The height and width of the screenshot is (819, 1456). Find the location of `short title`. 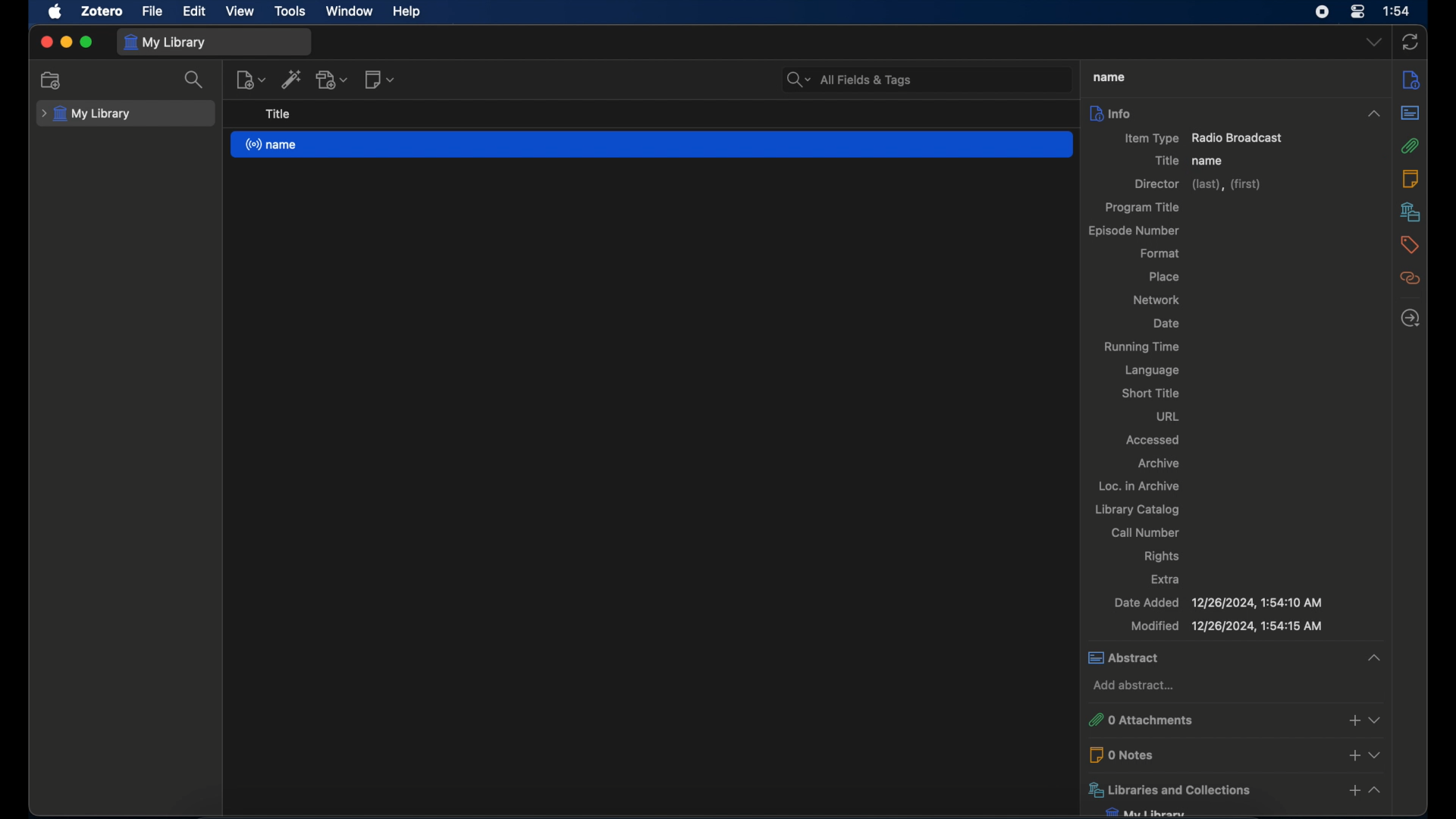

short title is located at coordinates (1150, 394).